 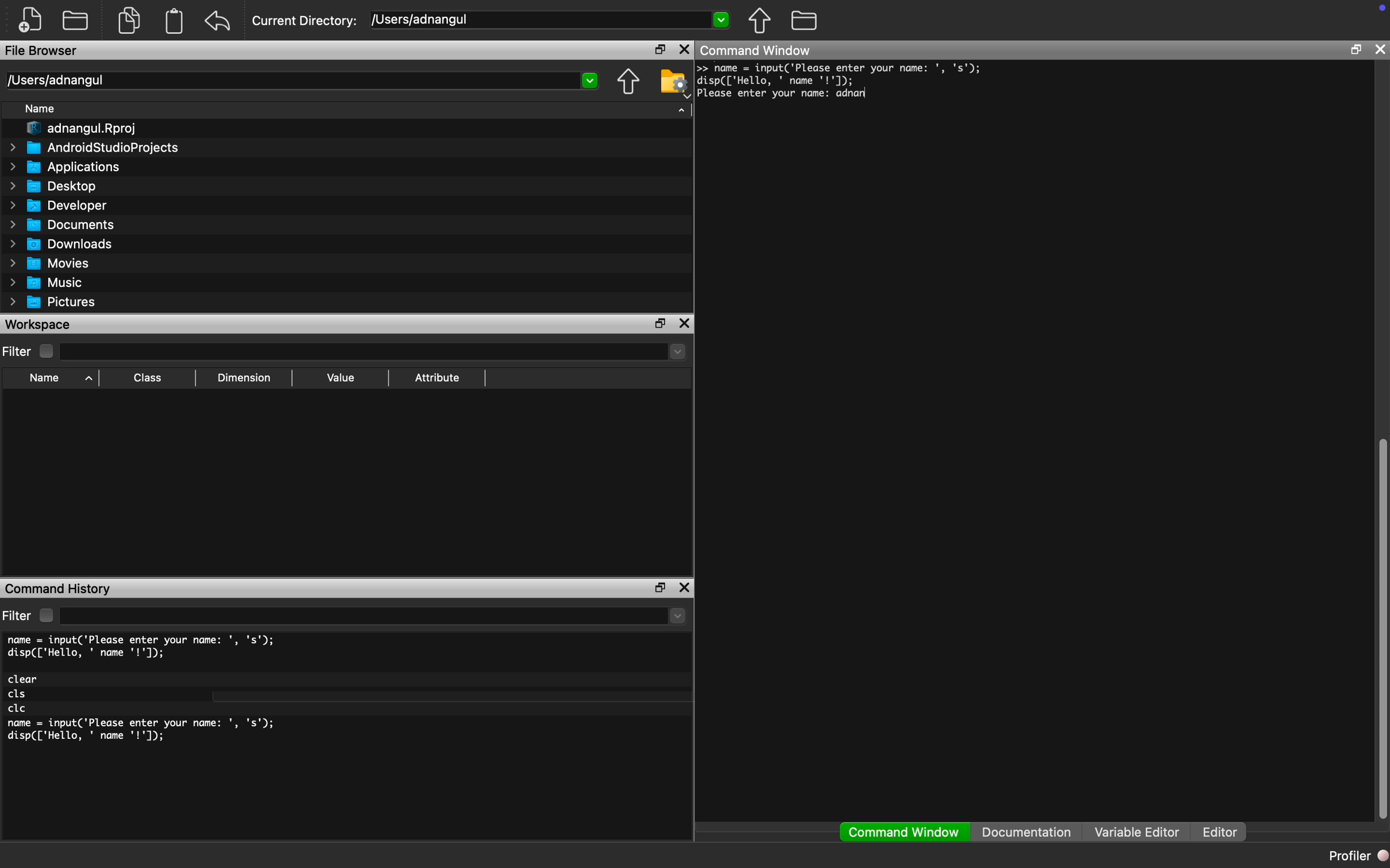 I want to click on Variable Editor, so click(x=1137, y=831).